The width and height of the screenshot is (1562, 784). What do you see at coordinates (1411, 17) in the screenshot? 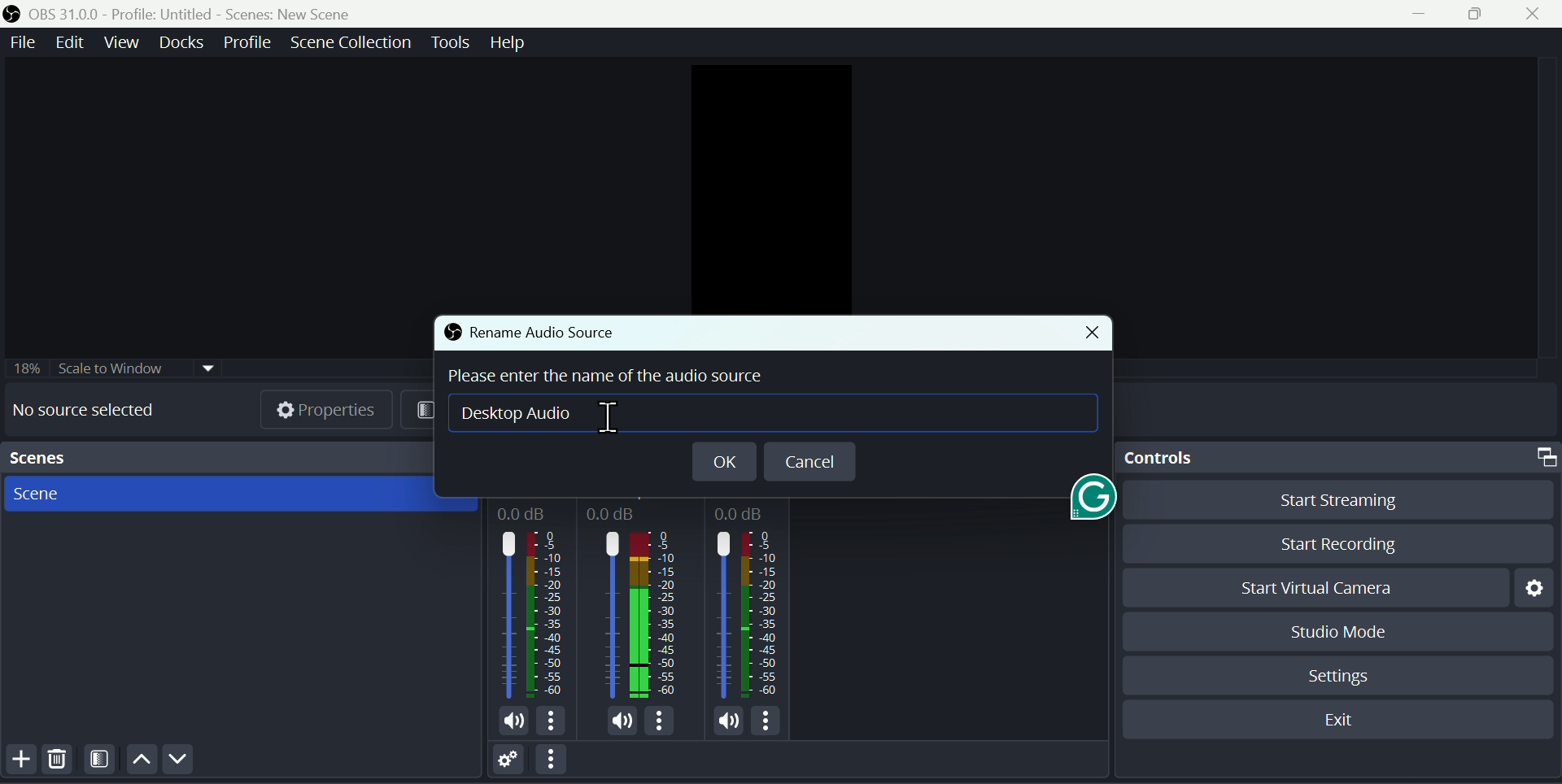
I see `minimise` at bounding box center [1411, 17].